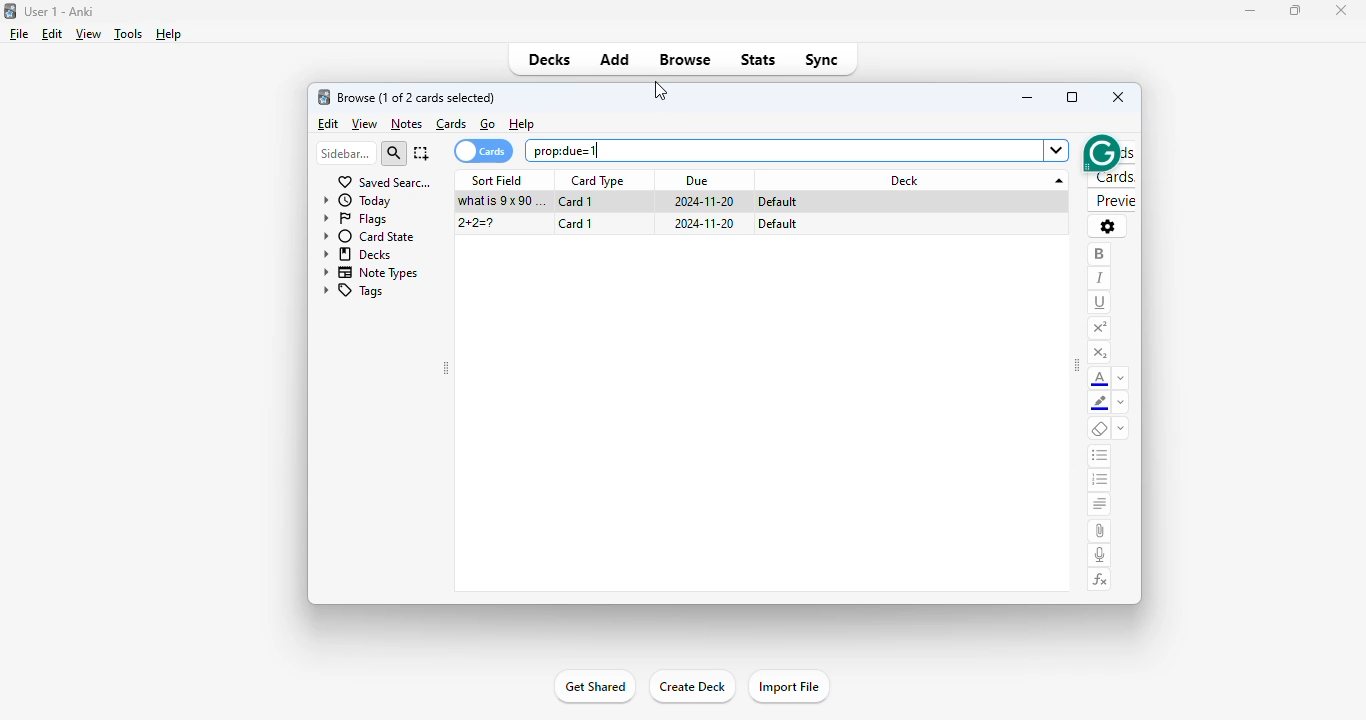  Describe the element at coordinates (1100, 279) in the screenshot. I see `italic` at that location.